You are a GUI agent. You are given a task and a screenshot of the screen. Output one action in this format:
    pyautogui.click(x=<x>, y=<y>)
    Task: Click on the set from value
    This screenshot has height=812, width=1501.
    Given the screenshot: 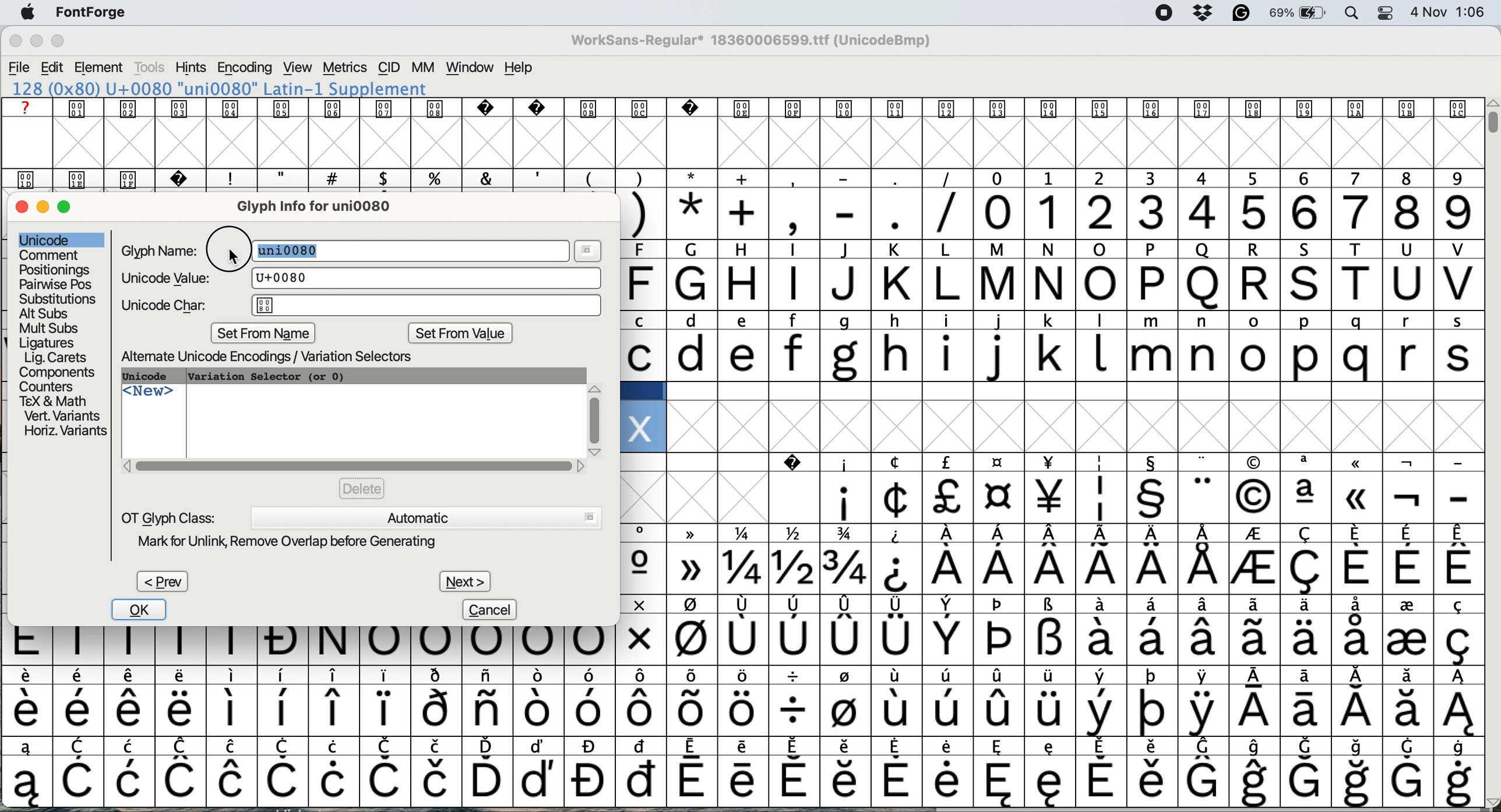 What is the action you would take?
    pyautogui.click(x=460, y=335)
    